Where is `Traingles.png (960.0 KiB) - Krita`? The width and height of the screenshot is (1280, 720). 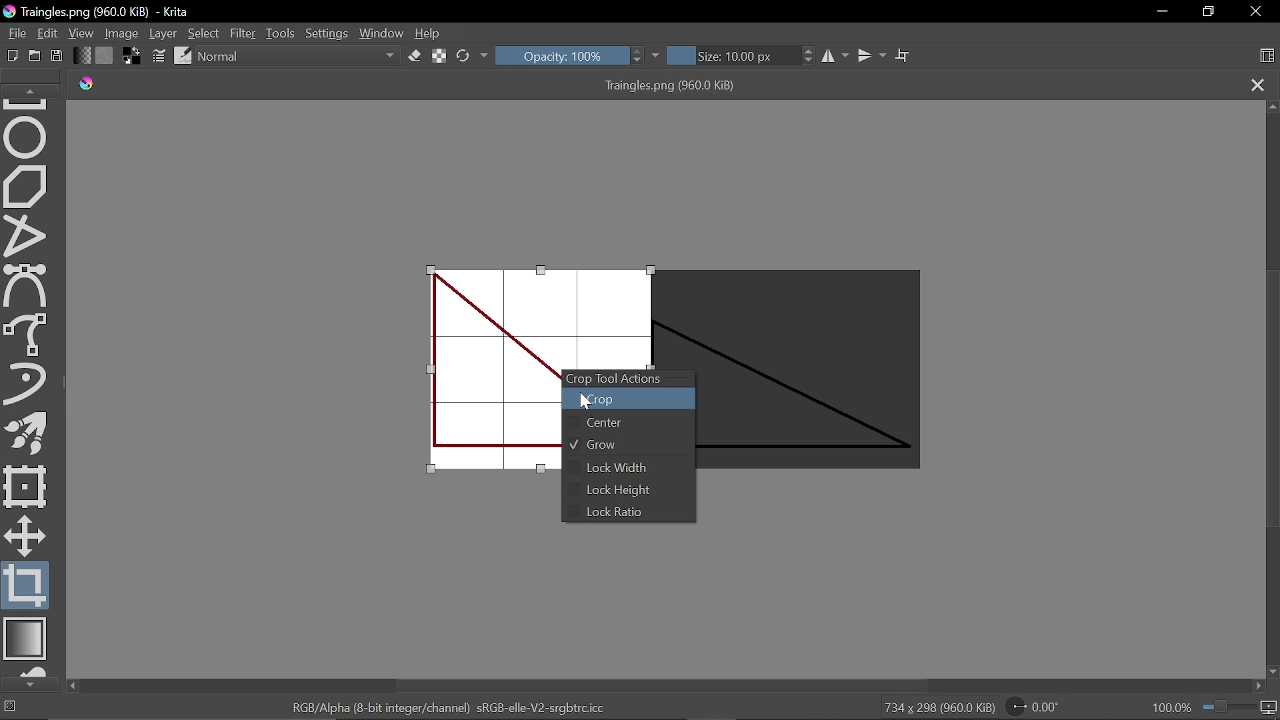 Traingles.png (960.0 KiB) - Krita is located at coordinates (99, 13).